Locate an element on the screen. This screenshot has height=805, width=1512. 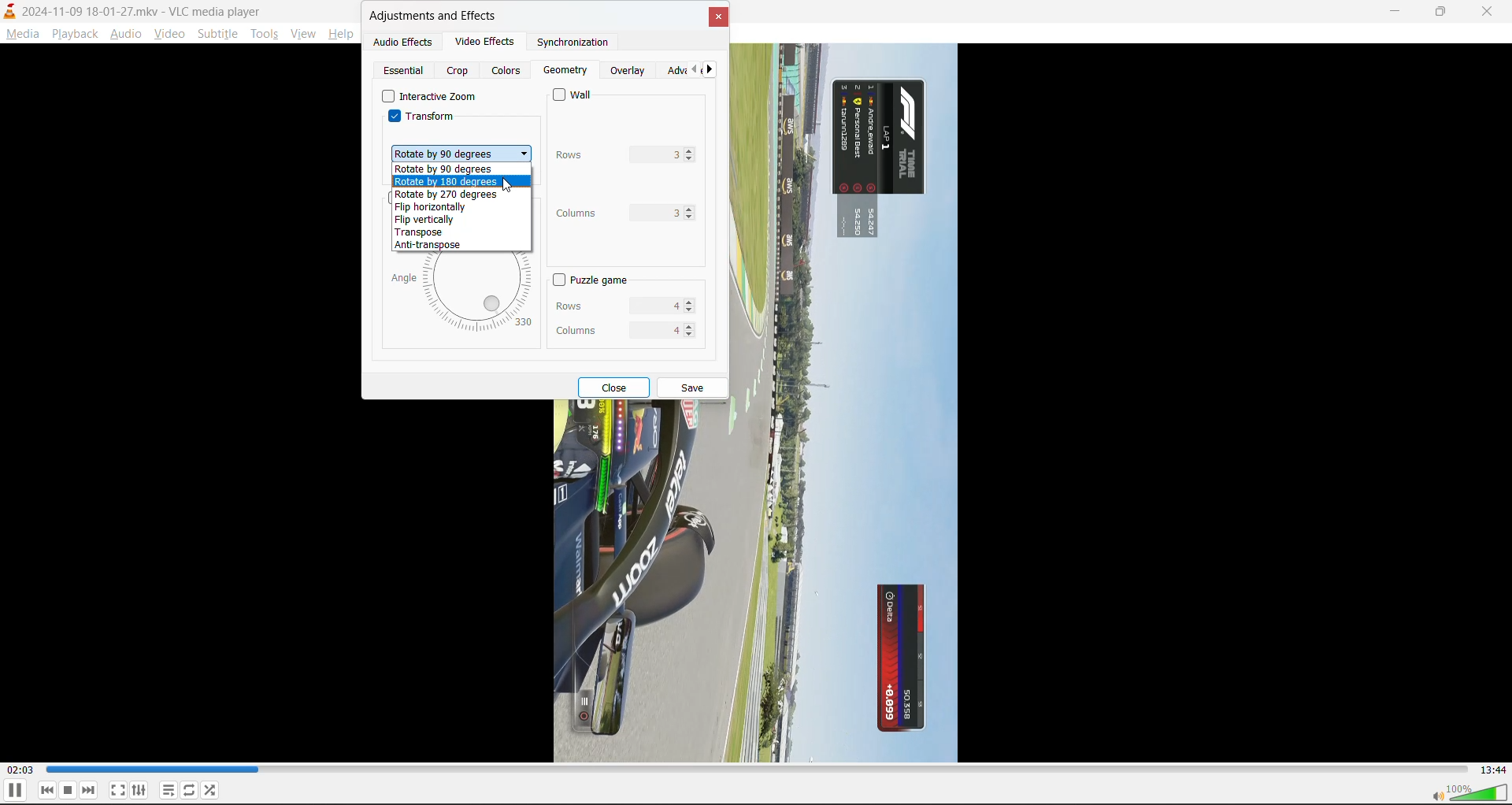
media is located at coordinates (24, 35).